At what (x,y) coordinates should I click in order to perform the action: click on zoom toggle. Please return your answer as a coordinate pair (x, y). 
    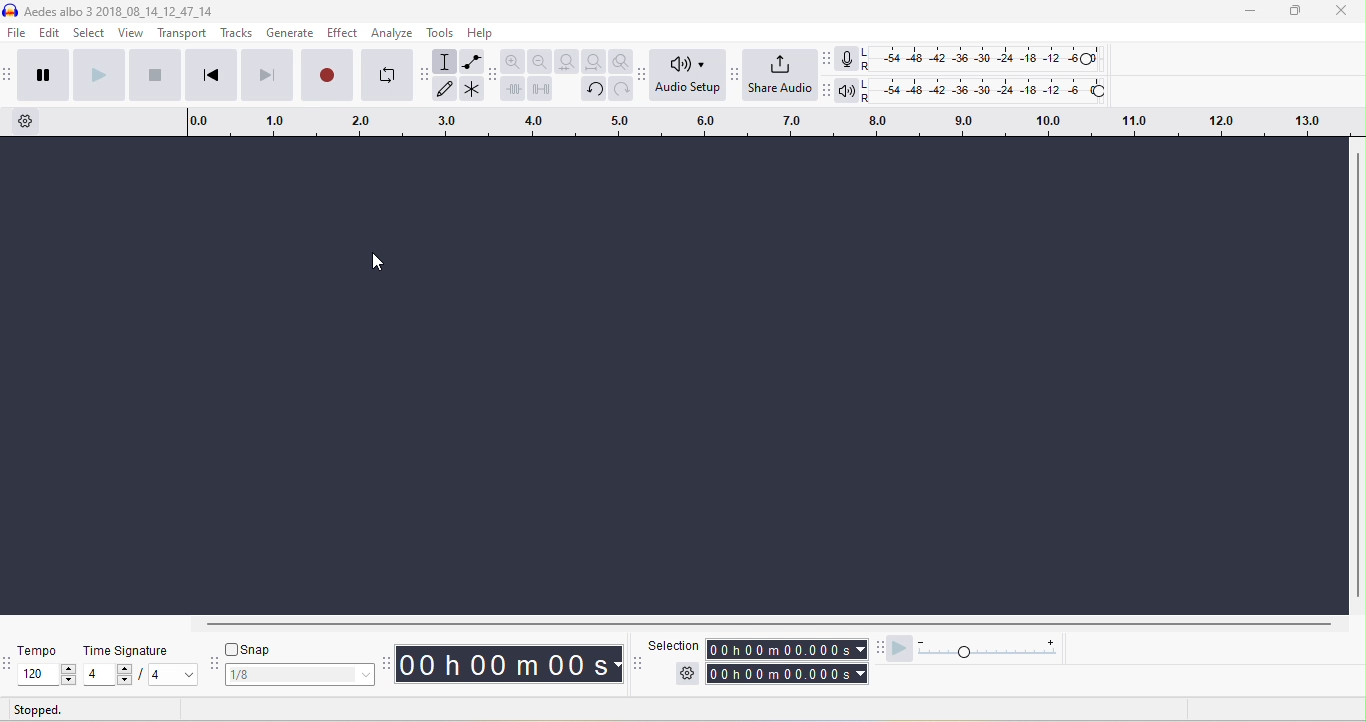
    Looking at the image, I should click on (622, 61).